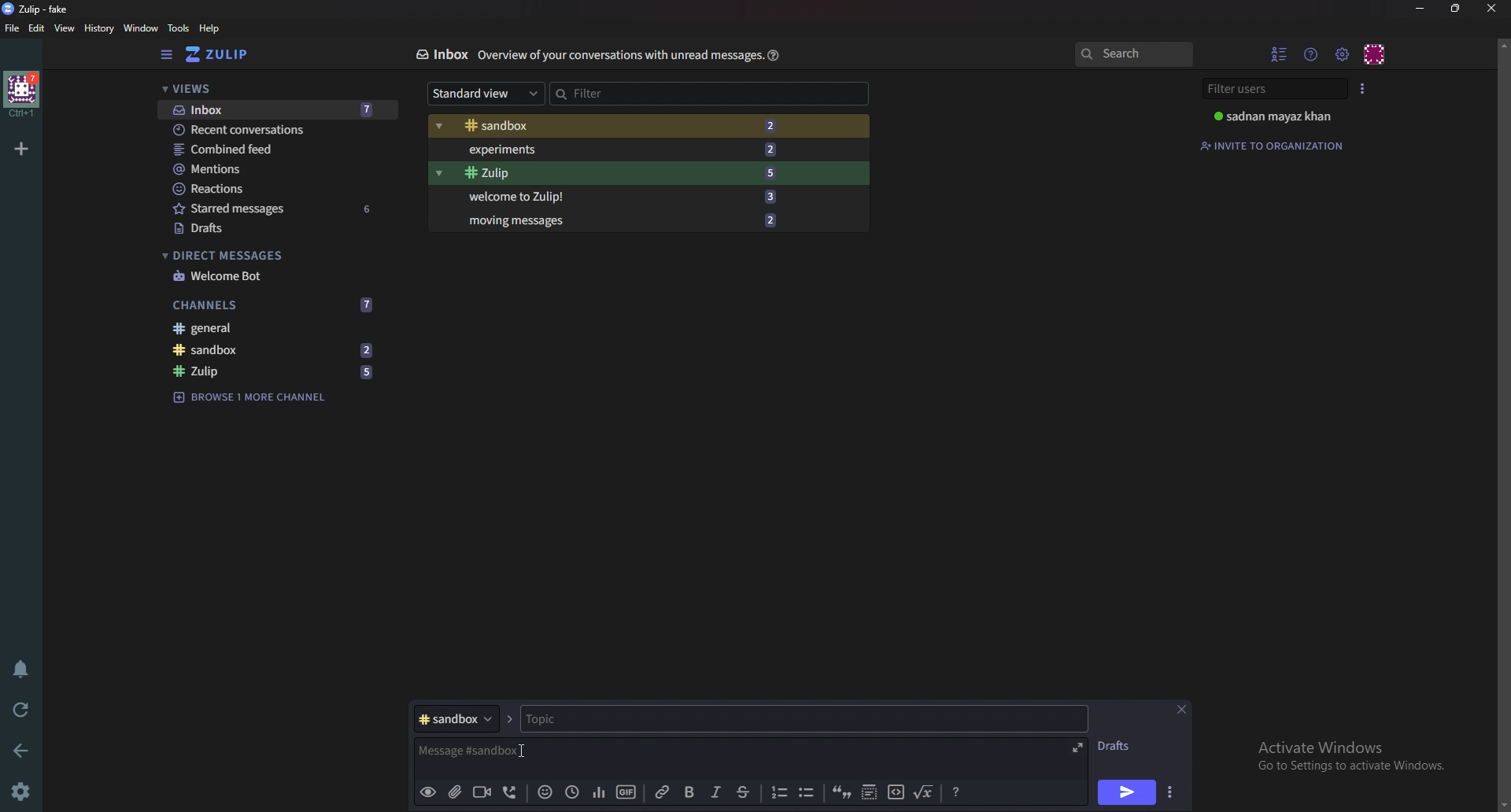  I want to click on Preview, so click(428, 792).